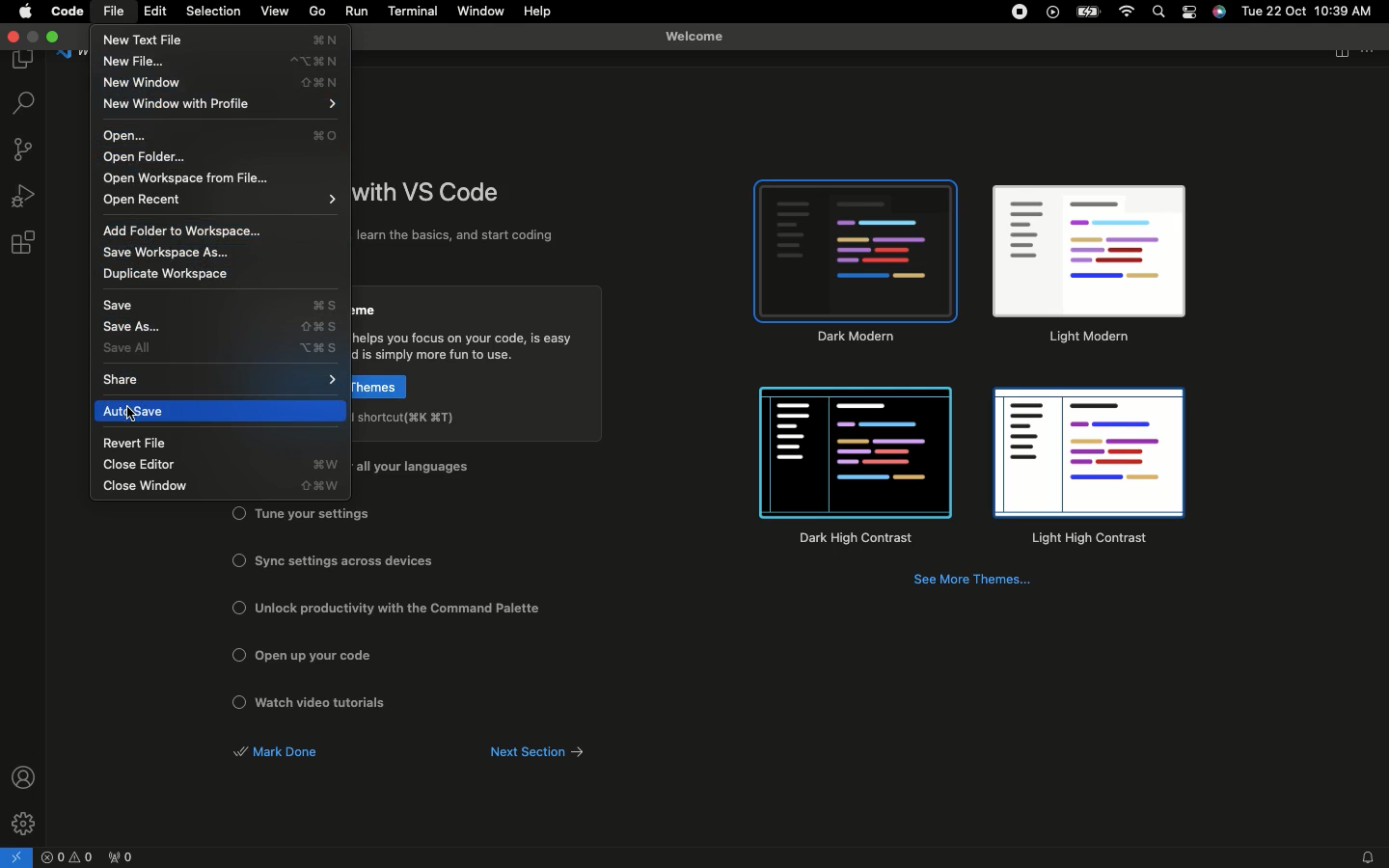 This screenshot has width=1389, height=868. Describe the element at coordinates (1087, 470) in the screenshot. I see `Light high contrast` at that location.